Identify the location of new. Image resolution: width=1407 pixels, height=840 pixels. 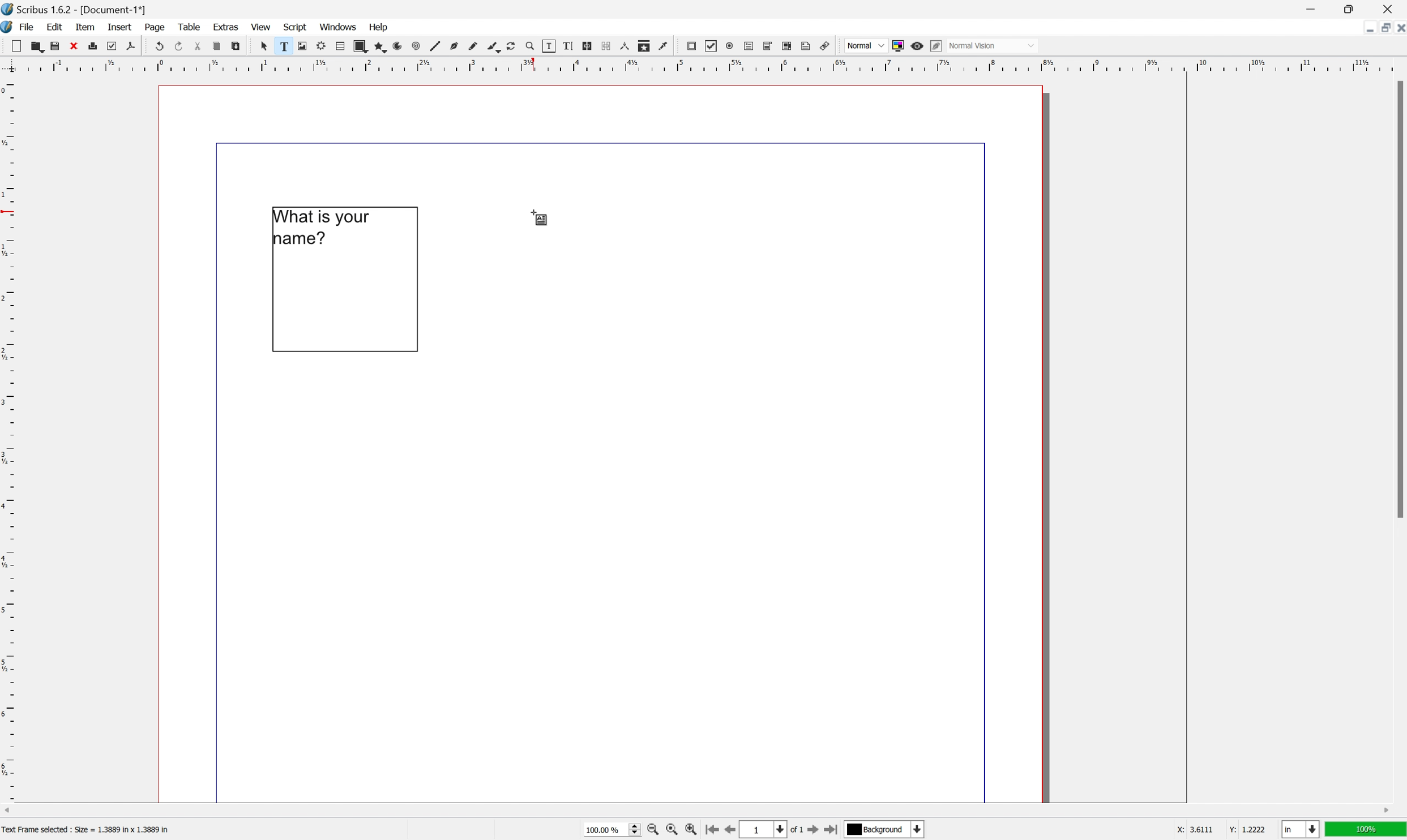
(17, 45).